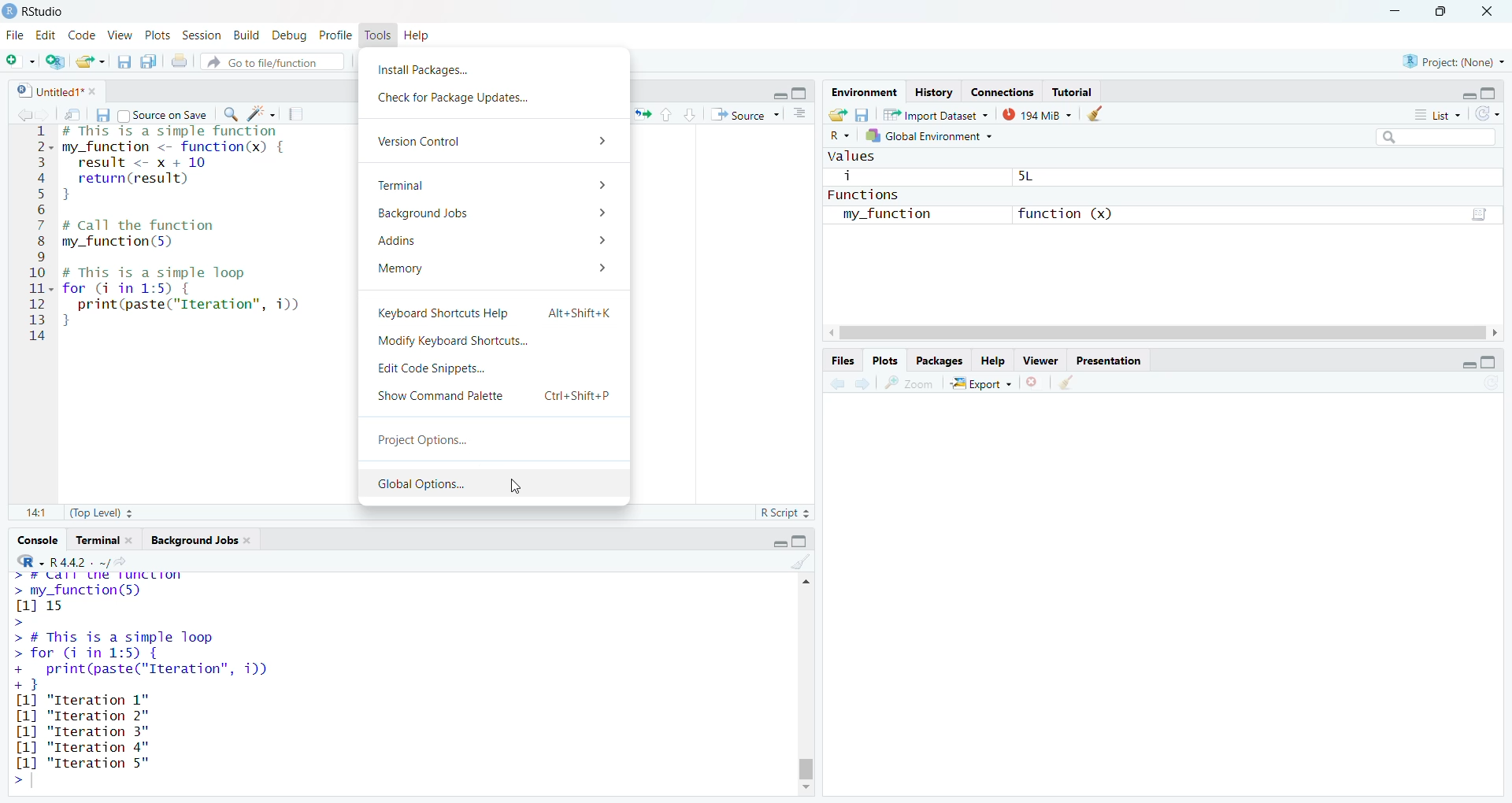 This screenshot has height=803, width=1512. I want to click on functions, so click(876, 194).